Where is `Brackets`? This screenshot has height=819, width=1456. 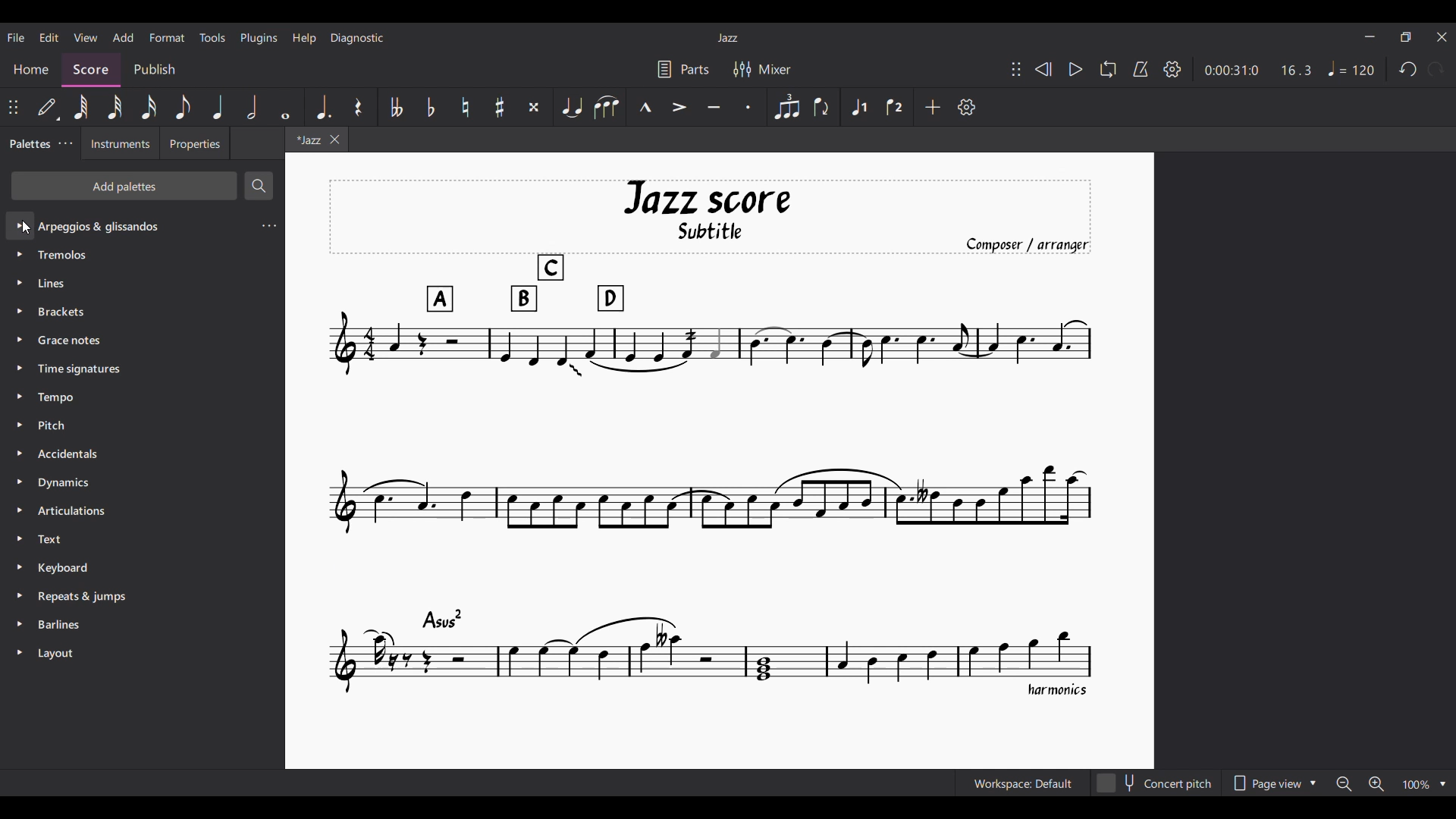 Brackets is located at coordinates (67, 311).